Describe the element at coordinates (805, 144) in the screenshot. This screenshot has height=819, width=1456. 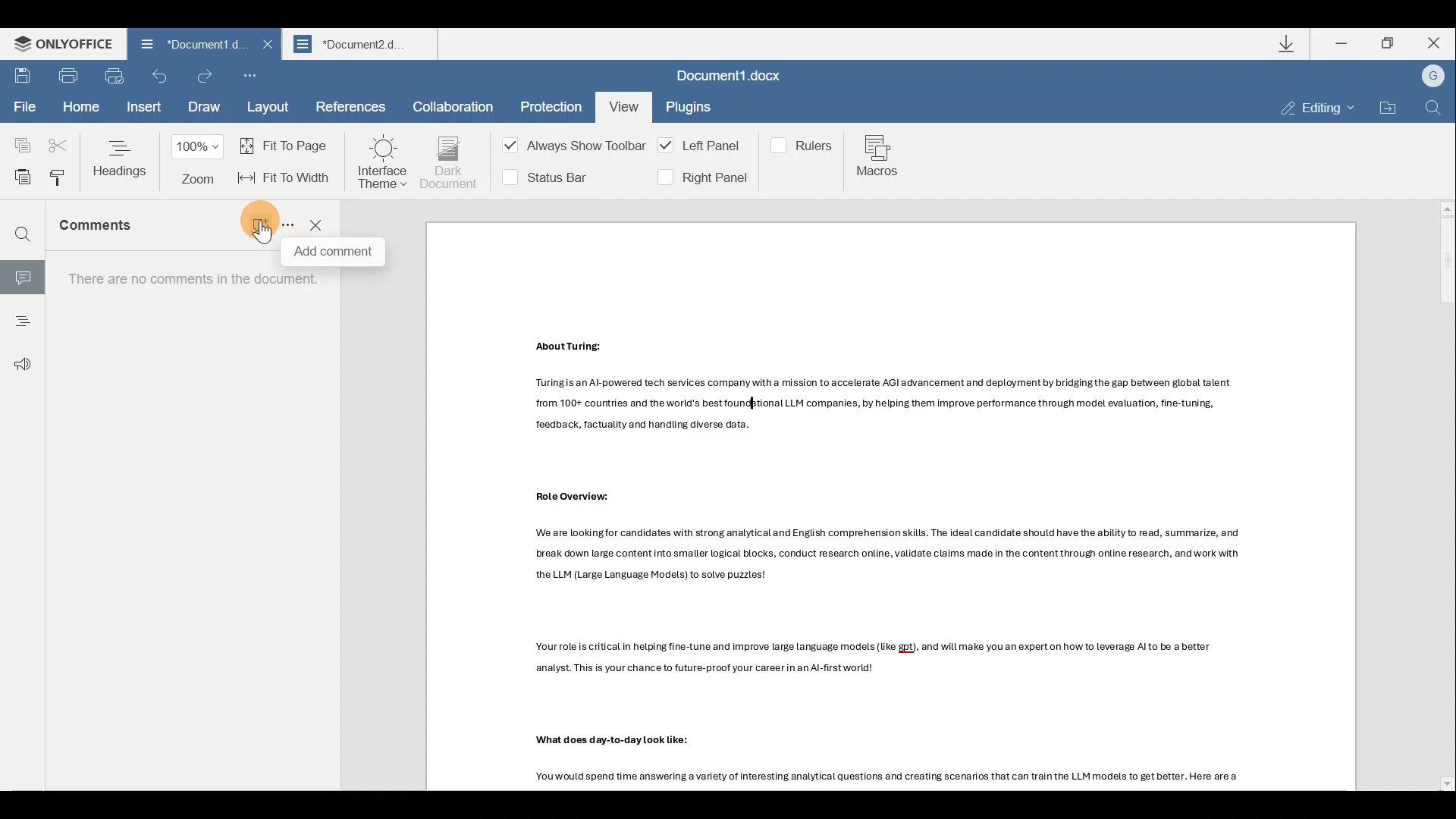
I see `Rulers` at that location.